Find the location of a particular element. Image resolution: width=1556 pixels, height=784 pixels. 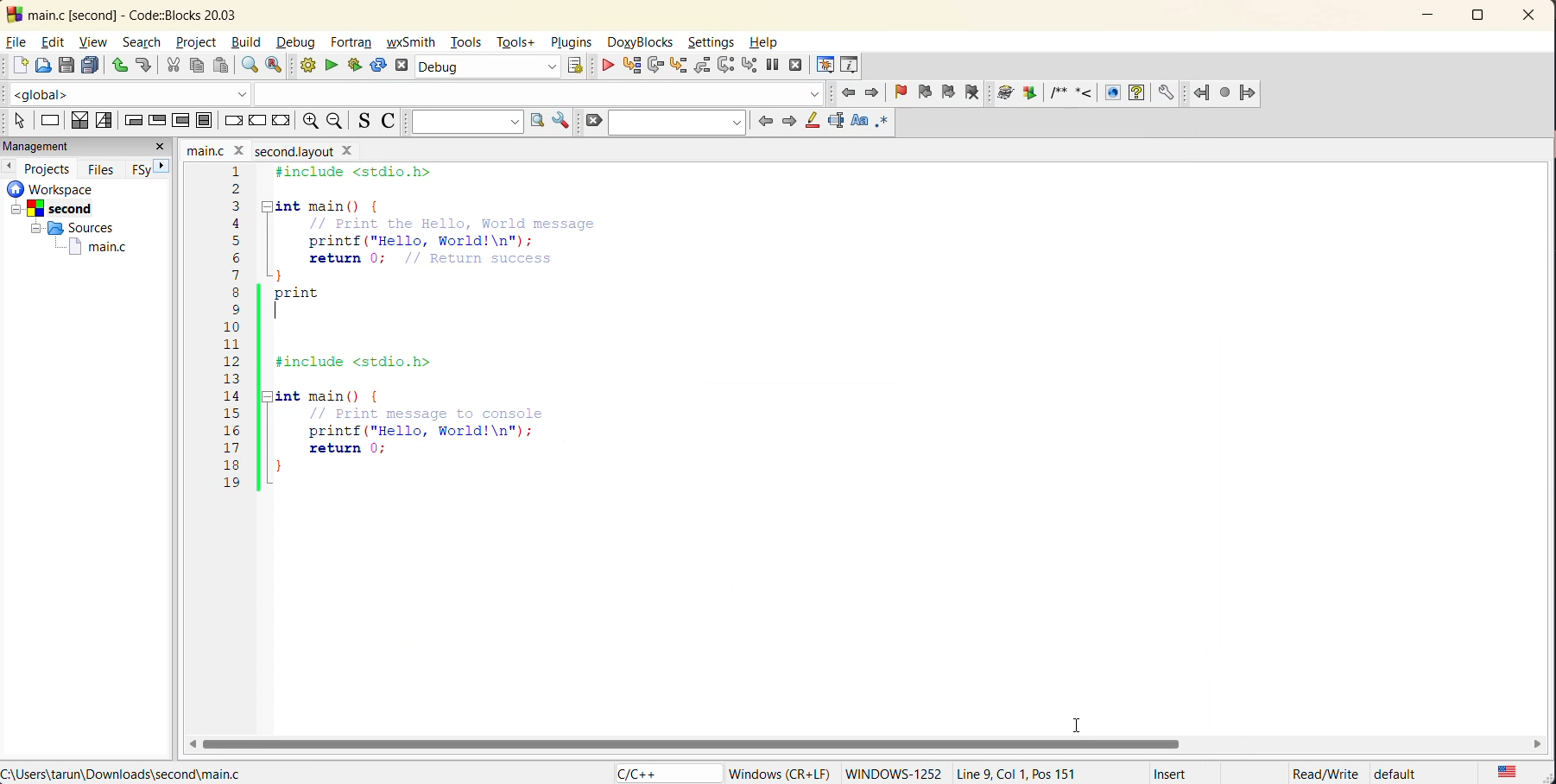

jump forward is located at coordinates (873, 94).